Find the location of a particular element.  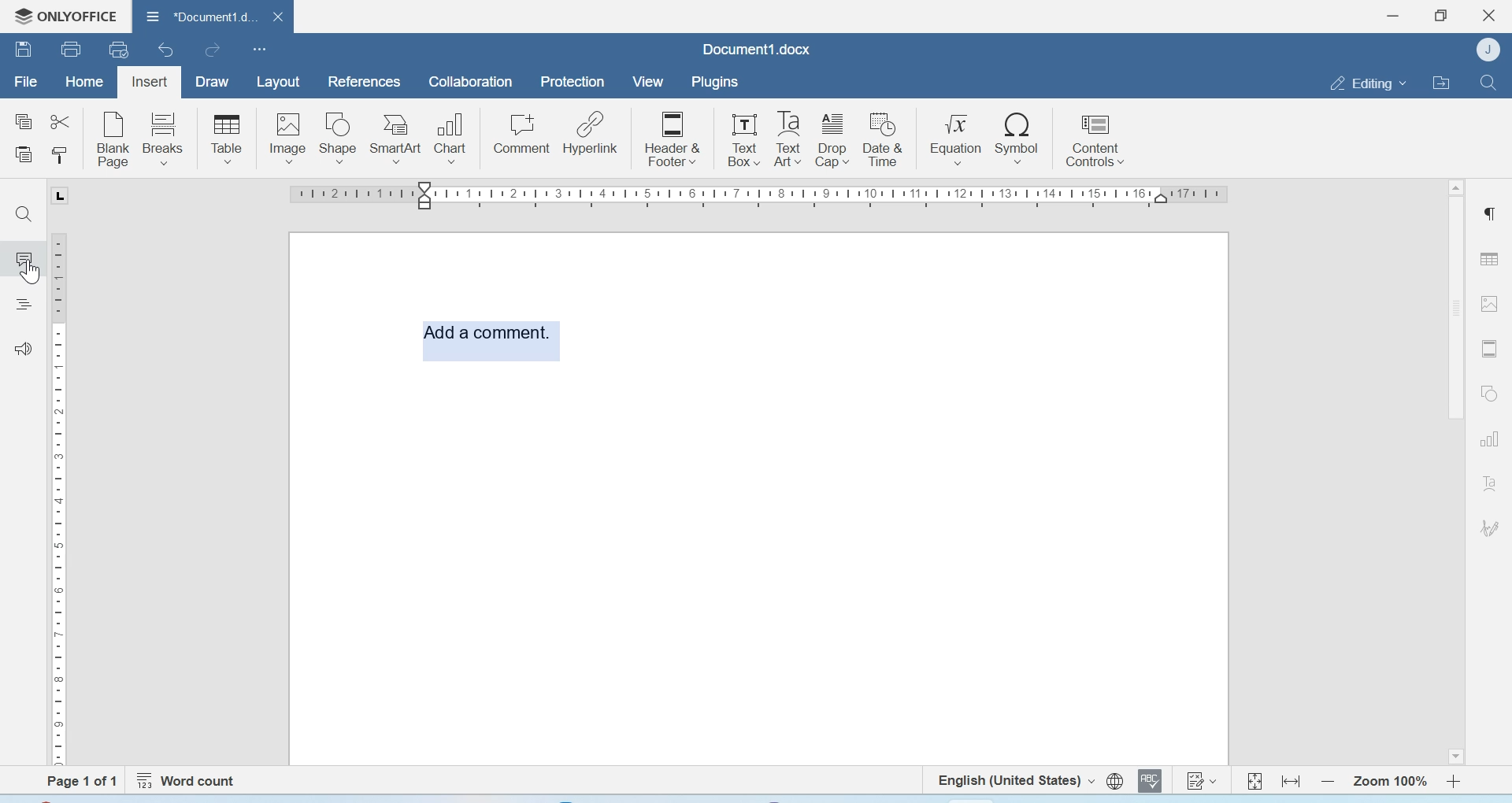

Collaboration is located at coordinates (471, 82).